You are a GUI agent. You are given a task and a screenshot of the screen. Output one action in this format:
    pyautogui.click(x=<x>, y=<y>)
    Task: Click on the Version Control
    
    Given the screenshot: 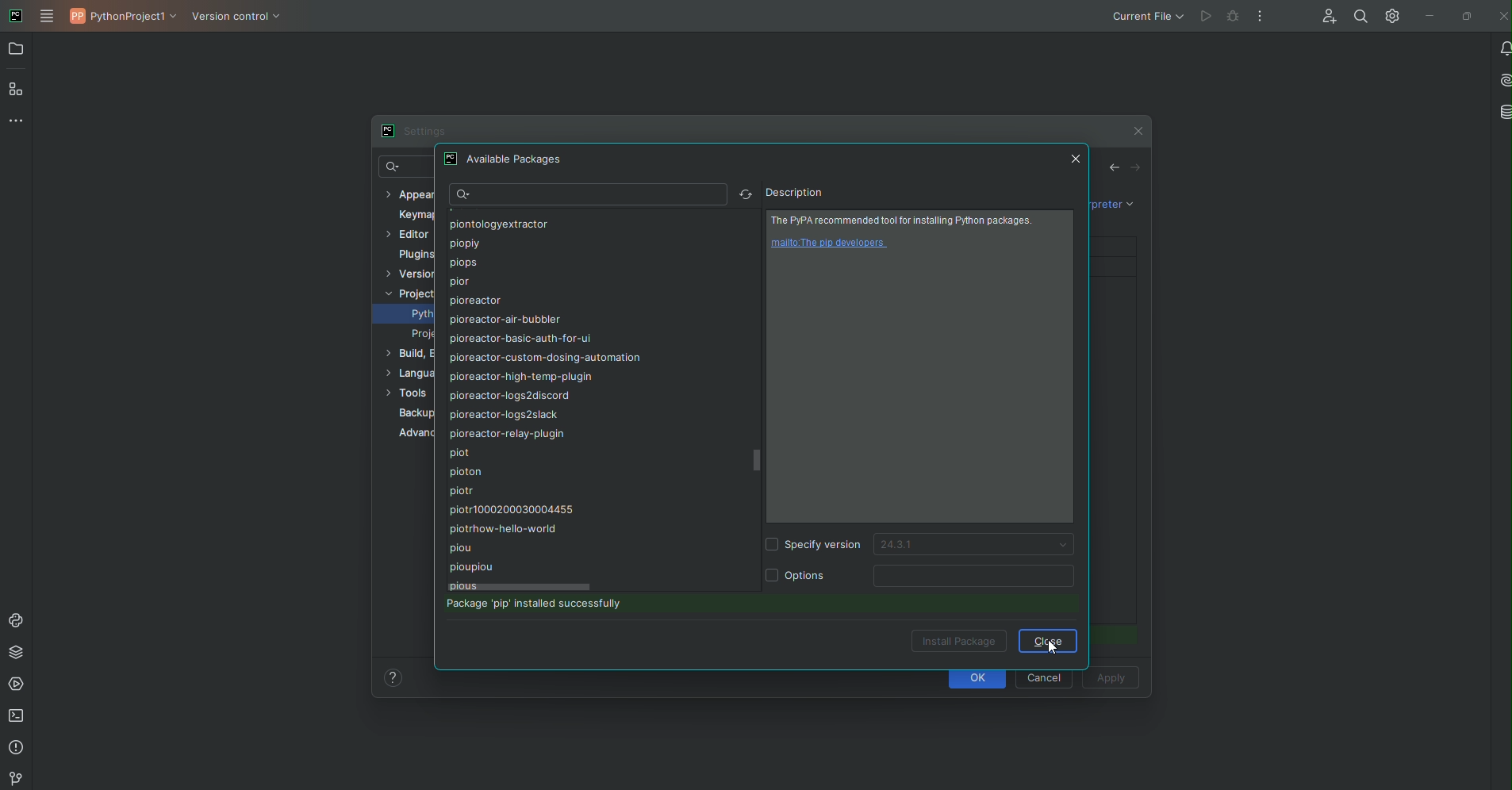 What is the action you would take?
    pyautogui.click(x=15, y=778)
    